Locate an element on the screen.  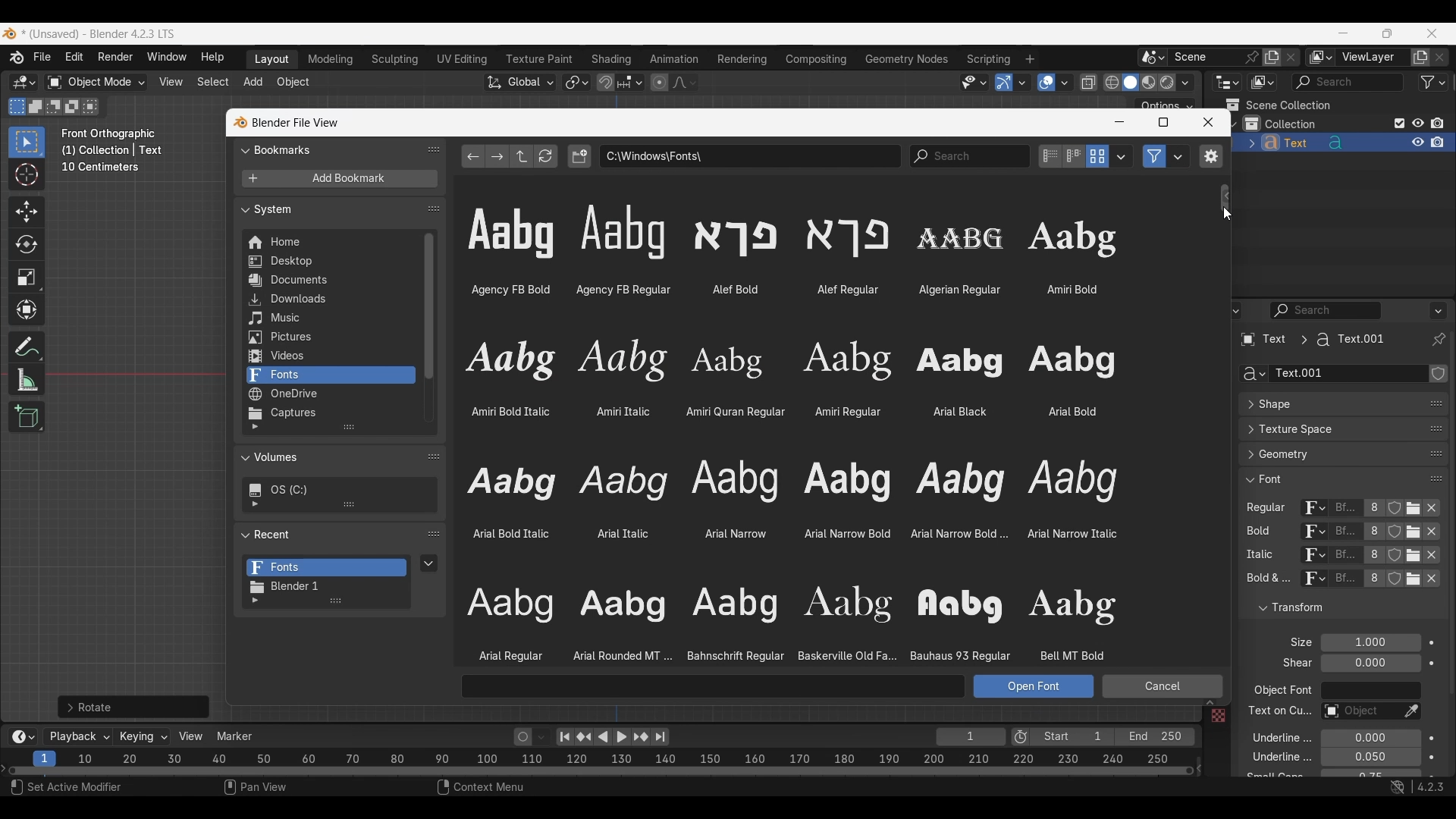
Collapse Recent is located at coordinates (328, 534).